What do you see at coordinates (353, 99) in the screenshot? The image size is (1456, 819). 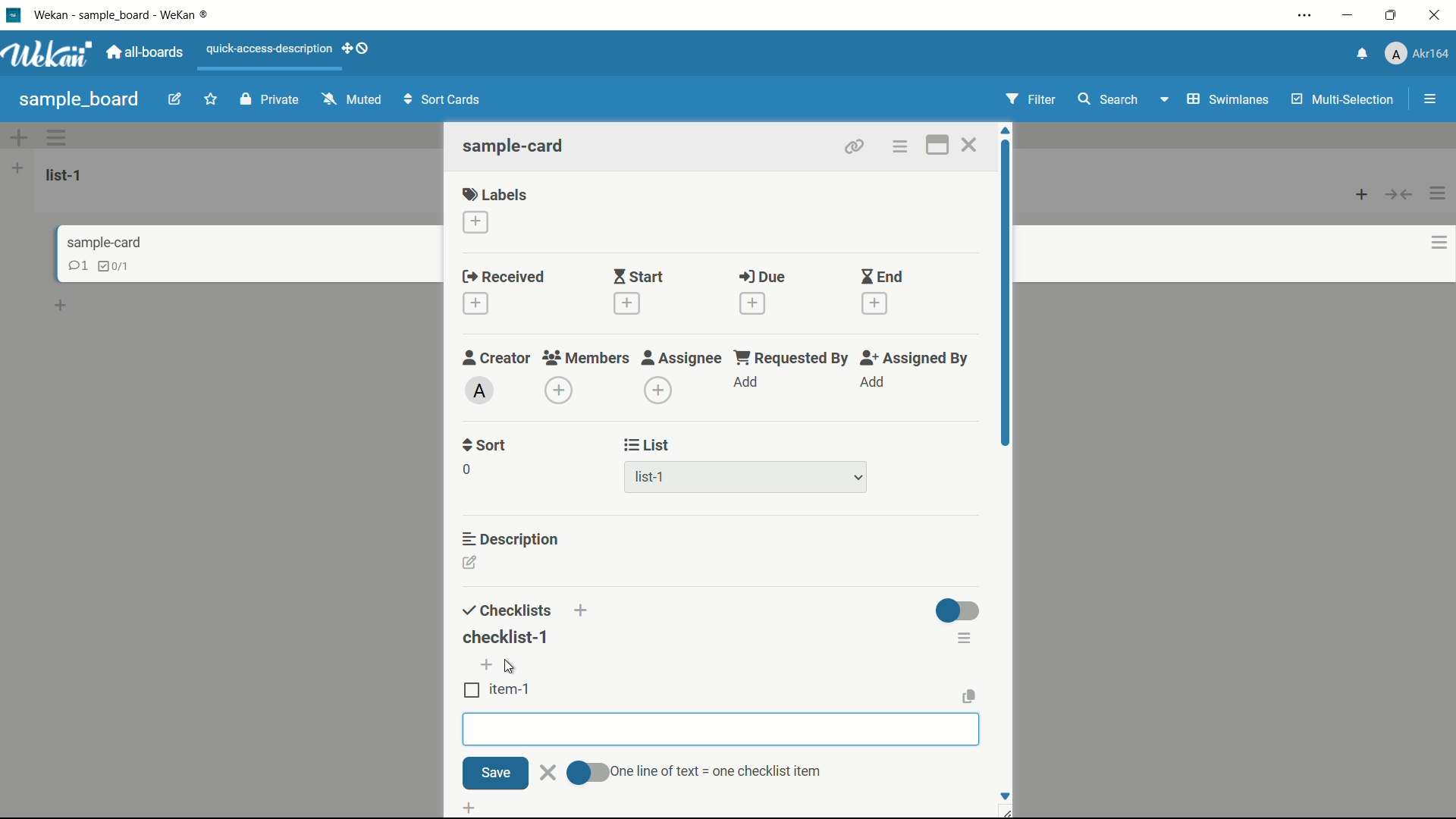 I see ` Muted` at bounding box center [353, 99].